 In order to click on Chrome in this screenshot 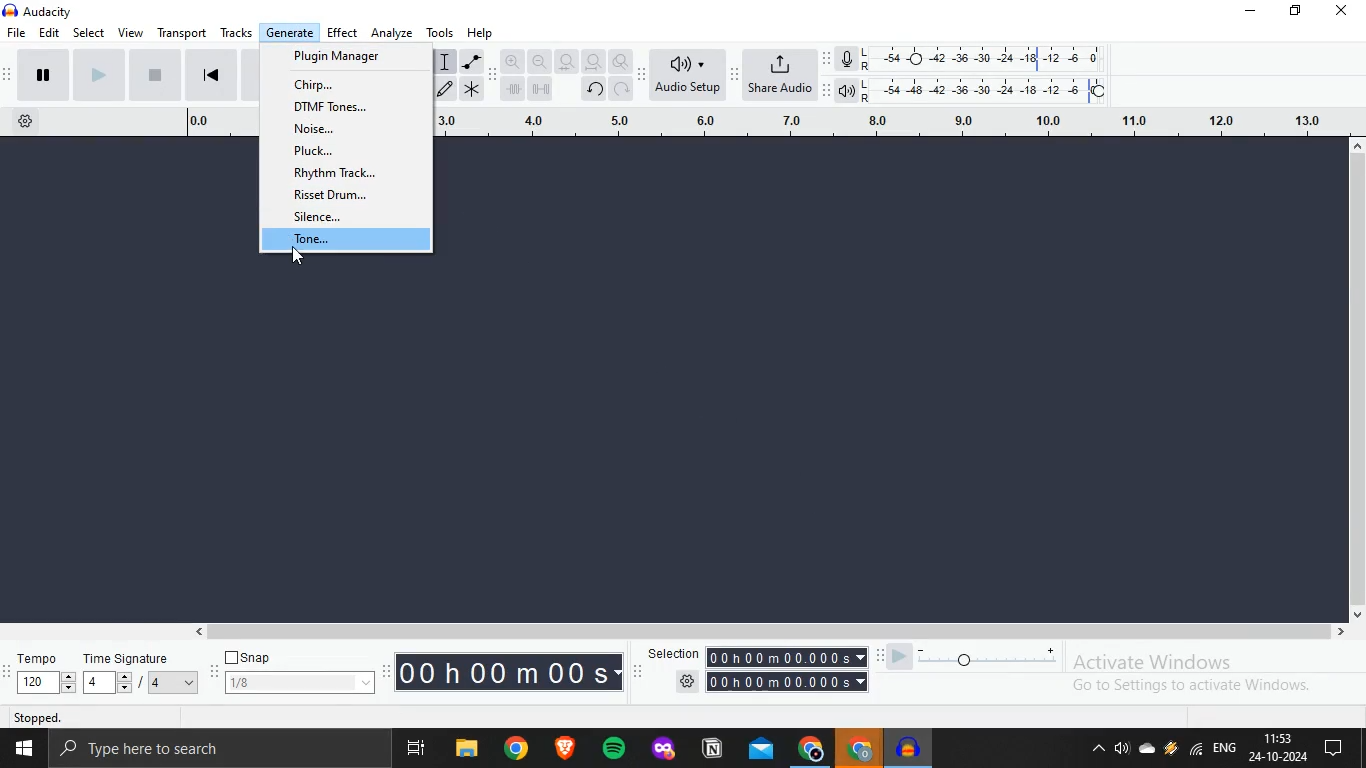, I will do `click(856, 750)`.